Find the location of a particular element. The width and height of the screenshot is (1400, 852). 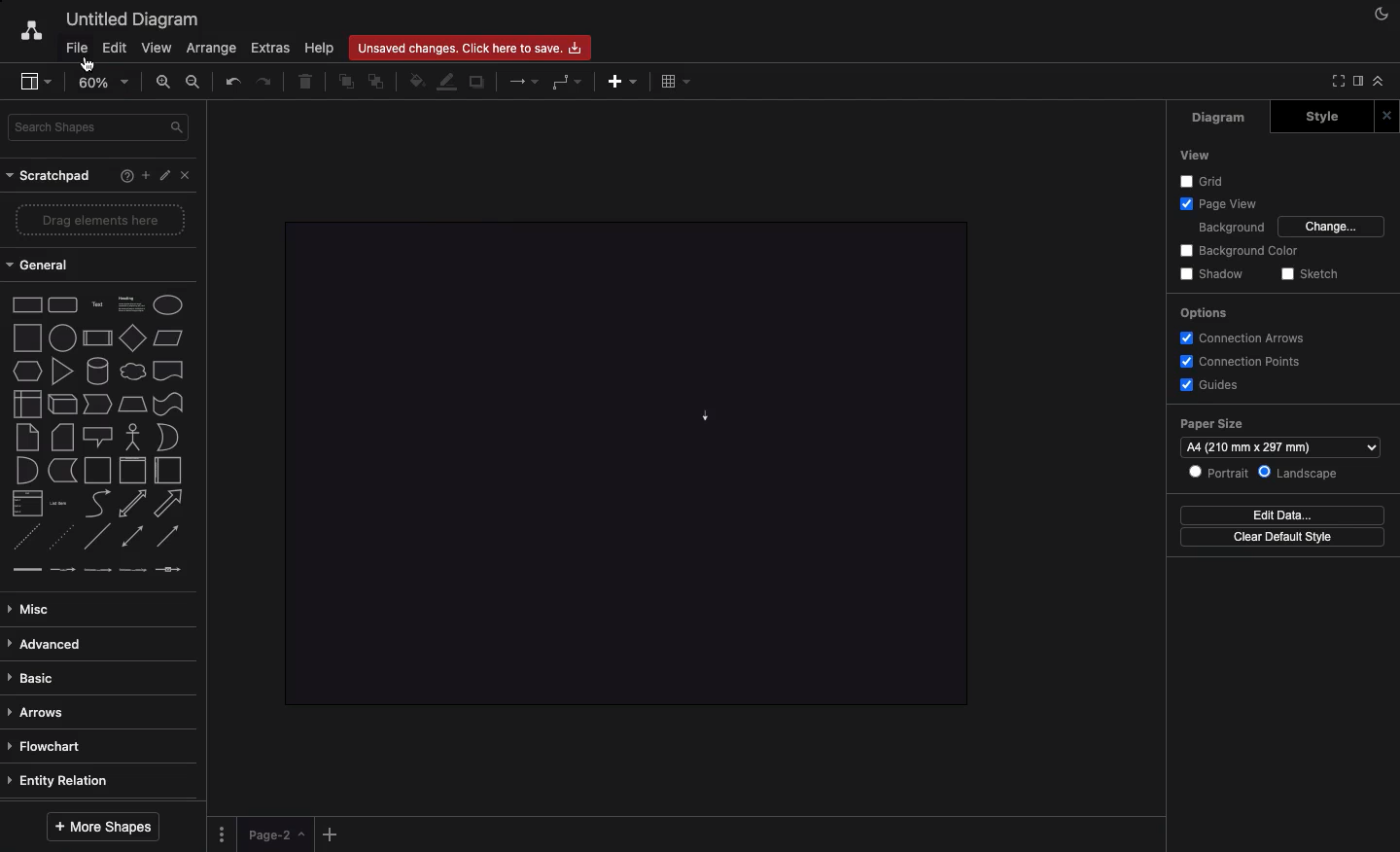

Collapse is located at coordinates (1379, 80).